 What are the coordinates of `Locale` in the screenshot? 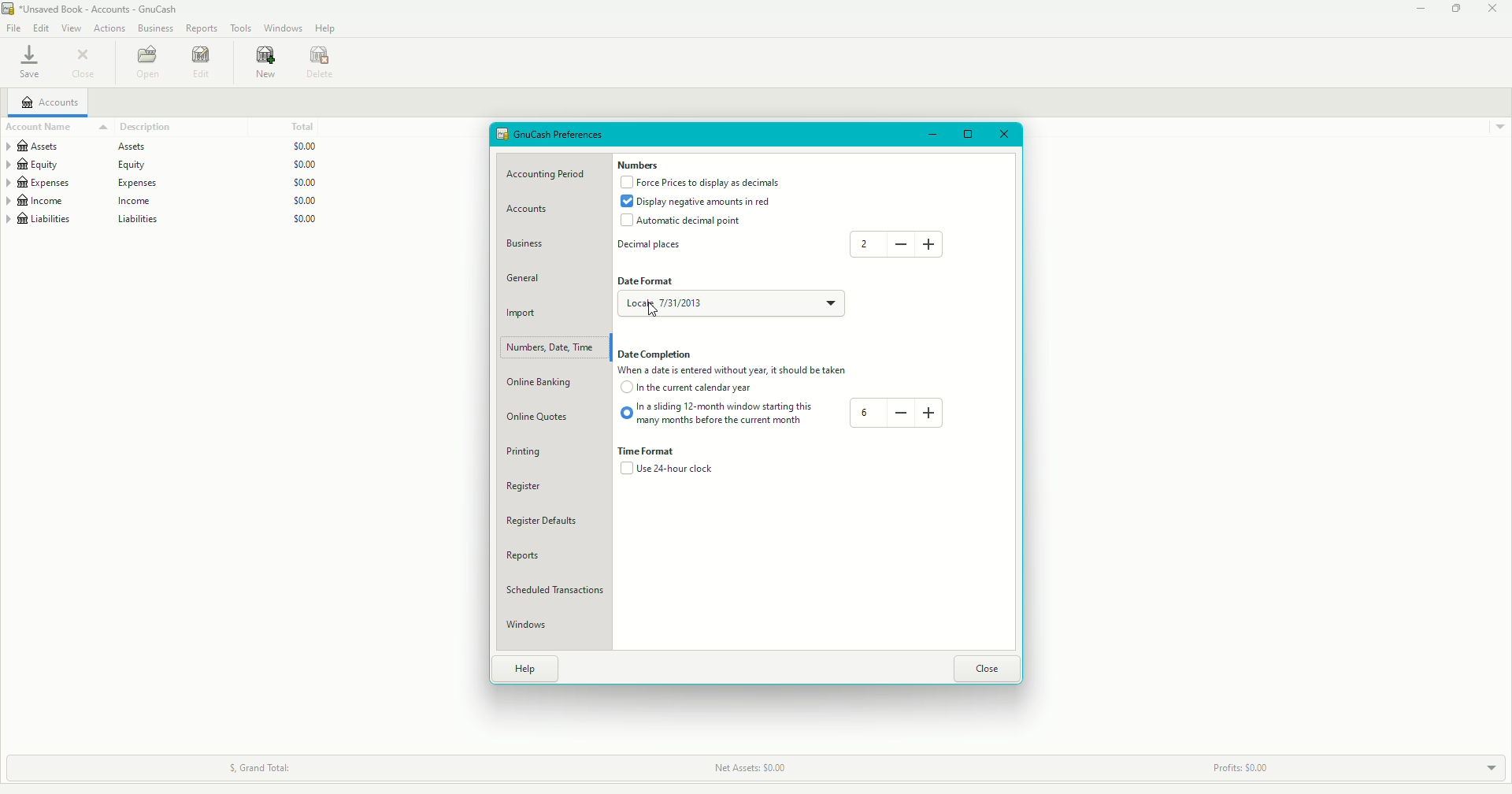 It's located at (758, 305).